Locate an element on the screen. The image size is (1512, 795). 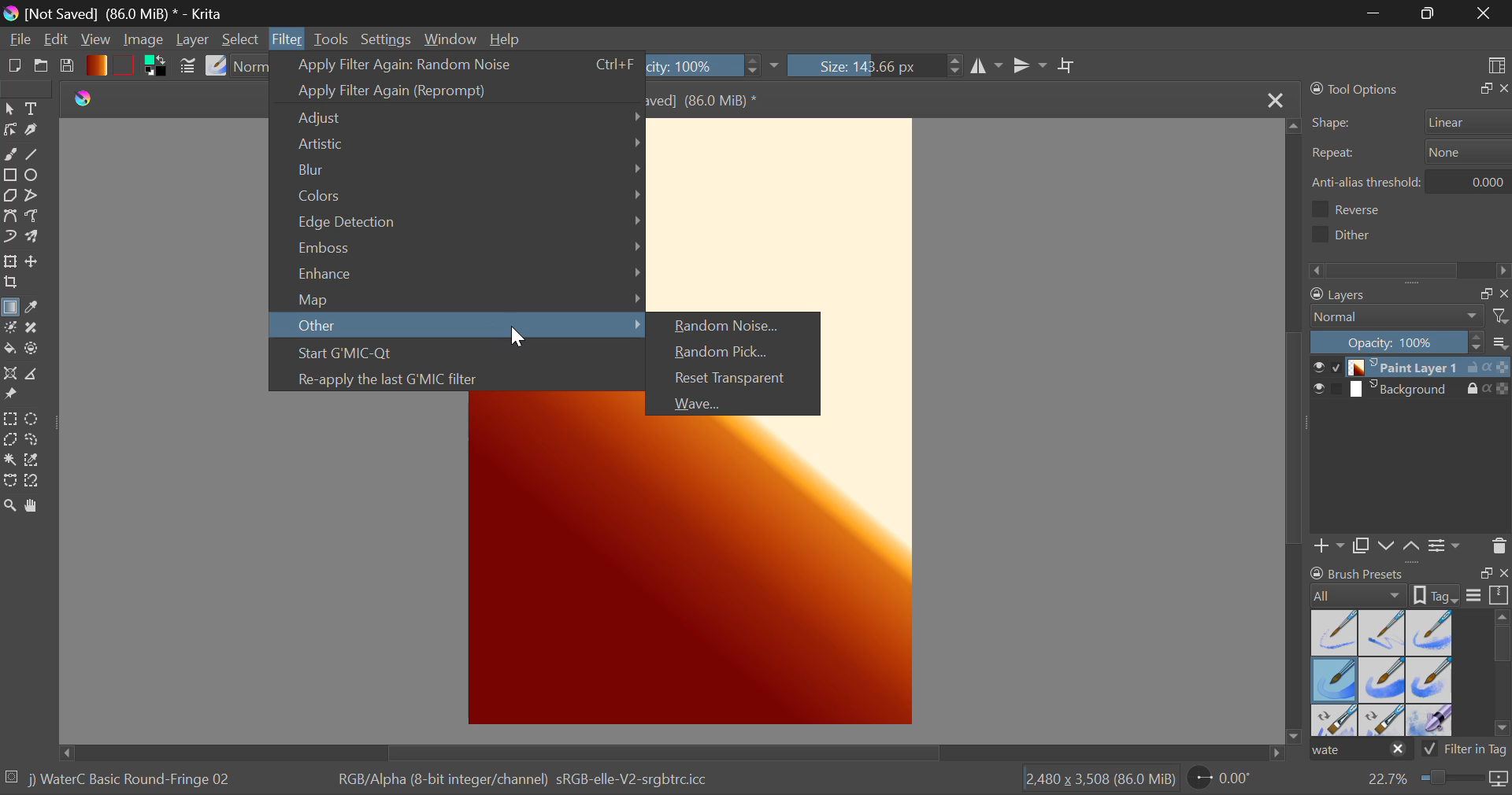
Pan is located at coordinates (37, 507).